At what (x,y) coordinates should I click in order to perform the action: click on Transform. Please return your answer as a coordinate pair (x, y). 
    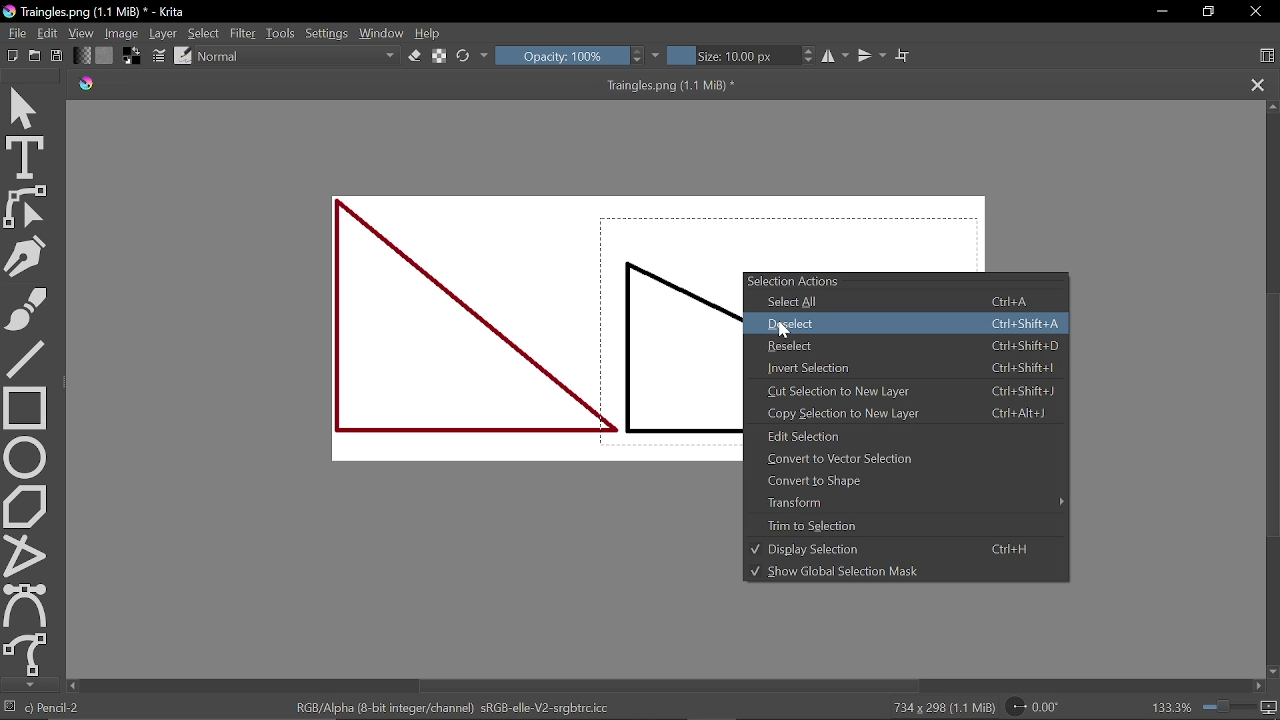
    Looking at the image, I should click on (905, 503).